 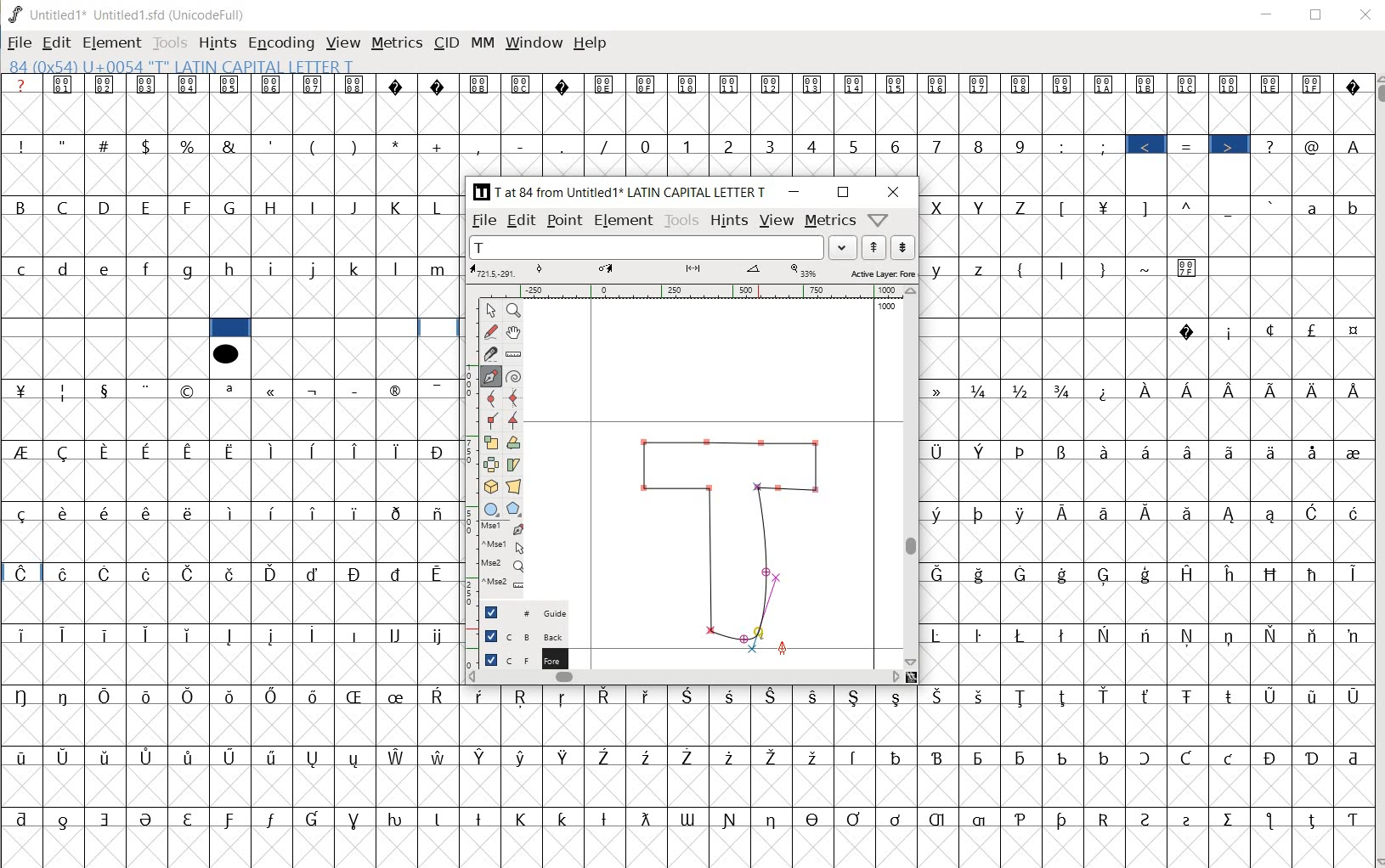 What do you see at coordinates (1149, 511) in the screenshot?
I see `Symbol` at bounding box center [1149, 511].